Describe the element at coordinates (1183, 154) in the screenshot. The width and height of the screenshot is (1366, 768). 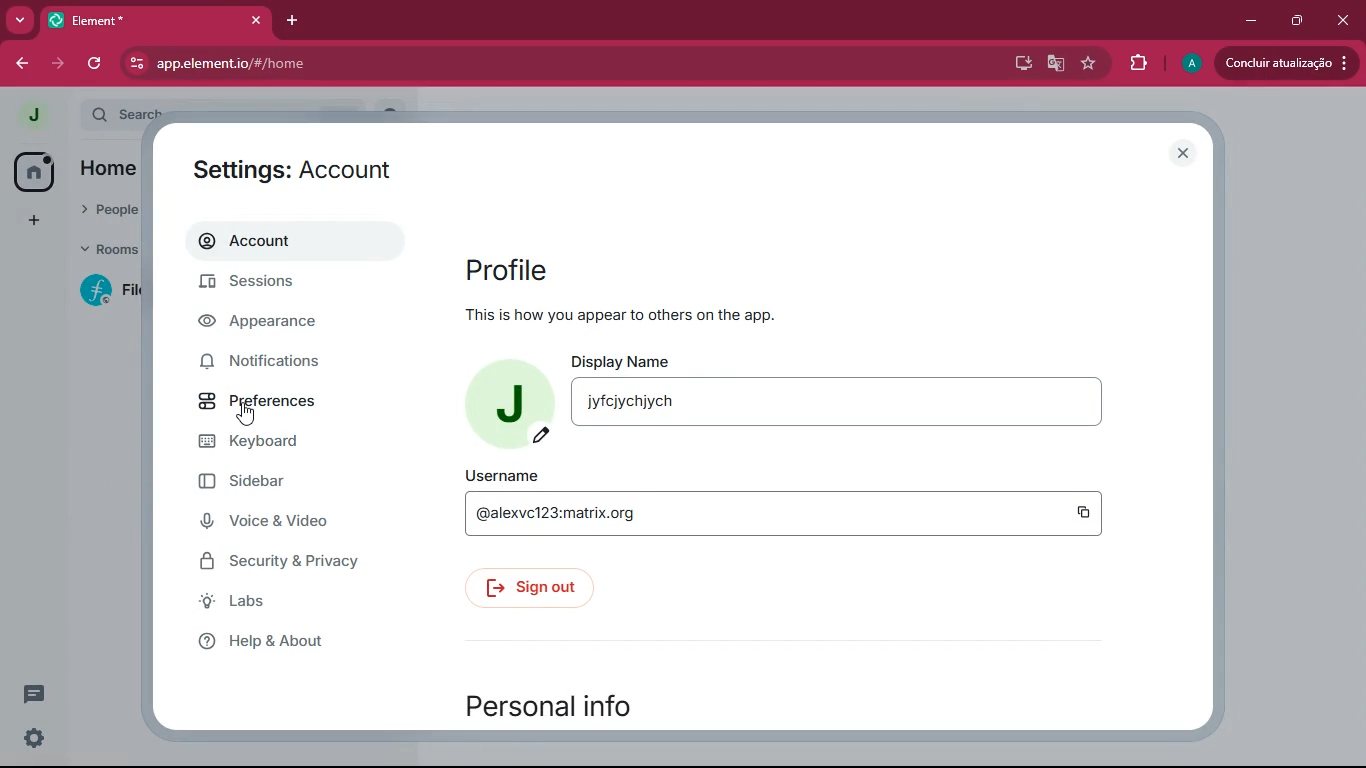
I see `close` at that location.